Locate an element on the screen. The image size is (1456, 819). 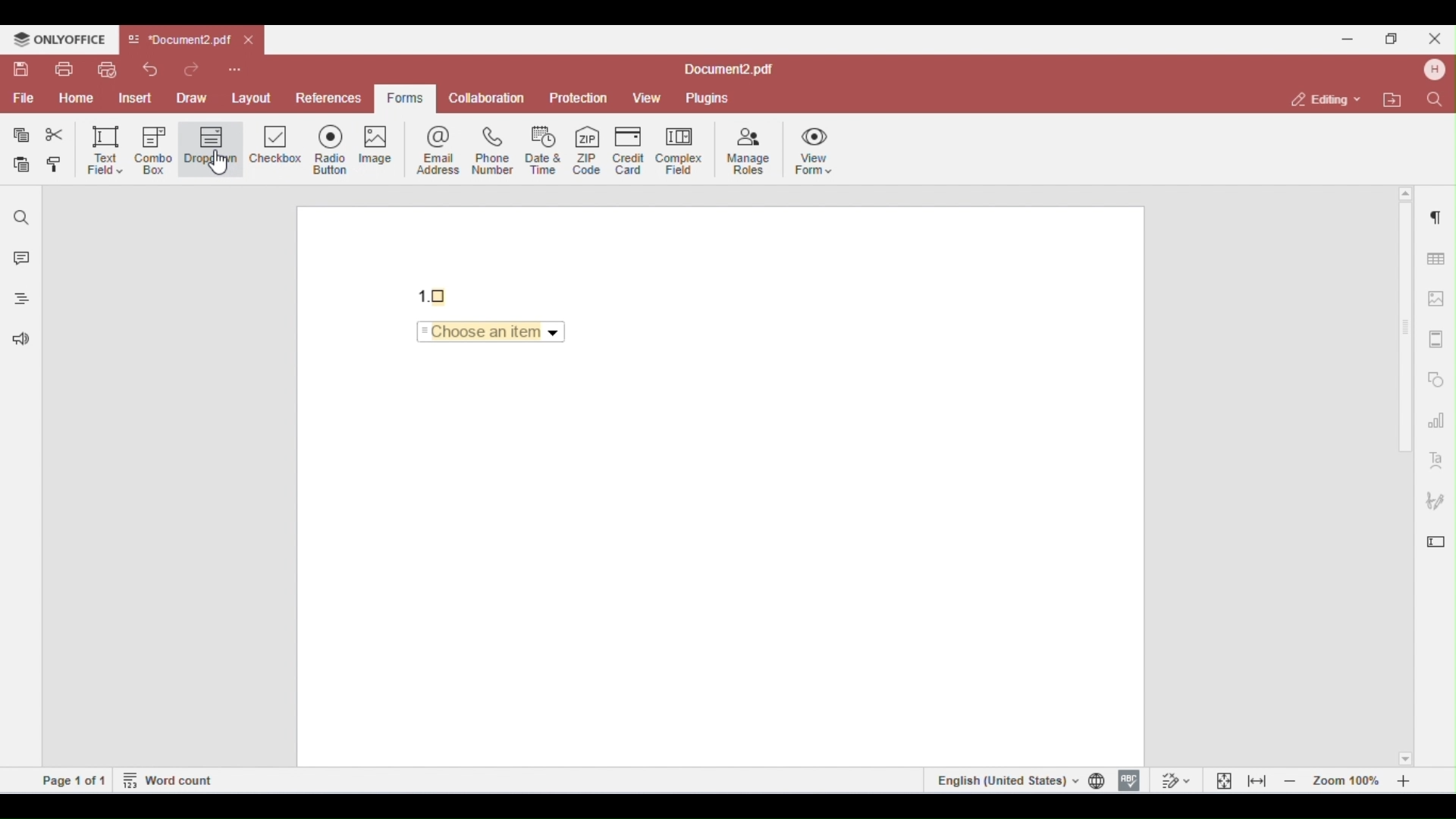
checkbox appeared is located at coordinates (437, 293).